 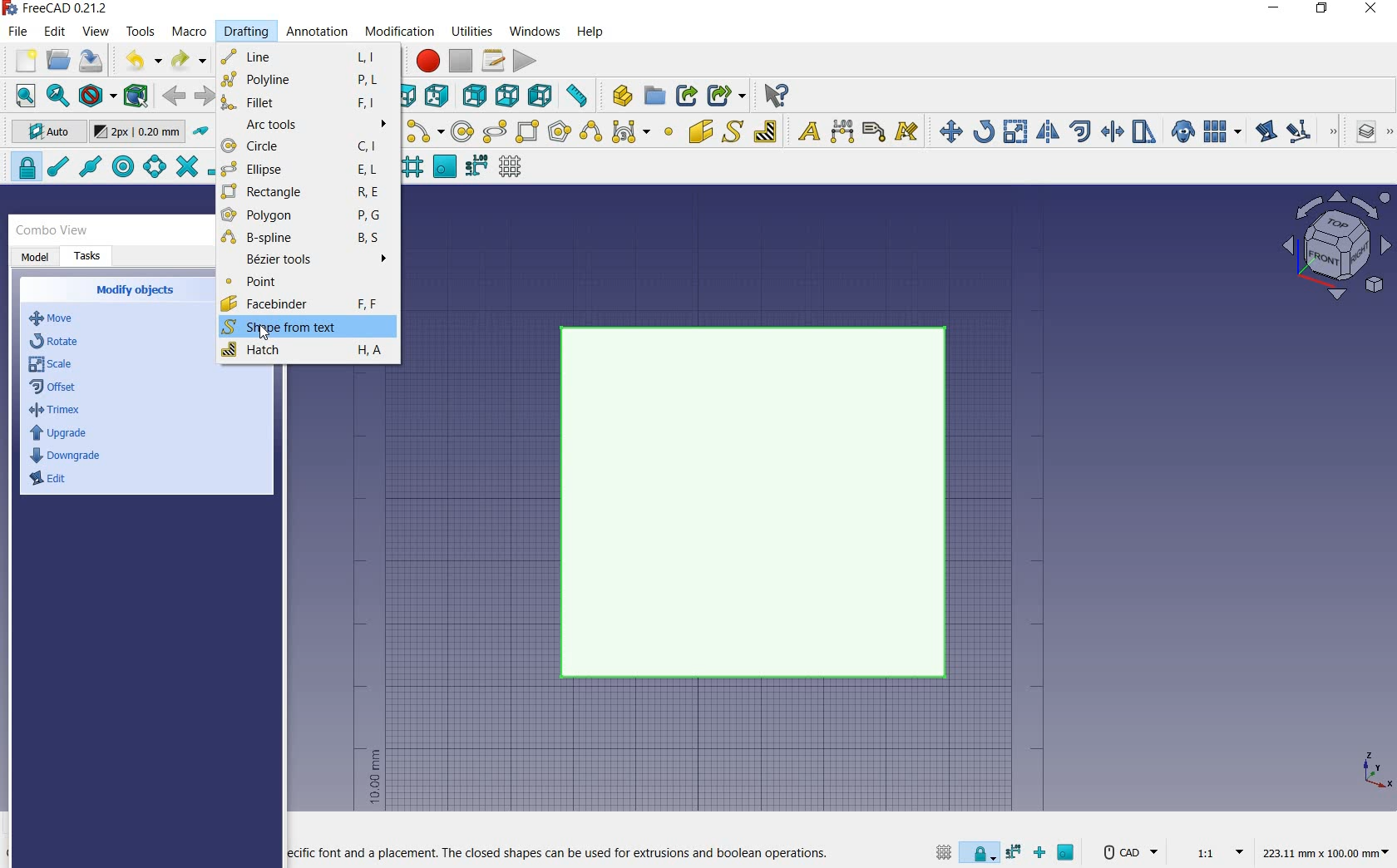 What do you see at coordinates (185, 167) in the screenshot?
I see `snap intersection` at bounding box center [185, 167].